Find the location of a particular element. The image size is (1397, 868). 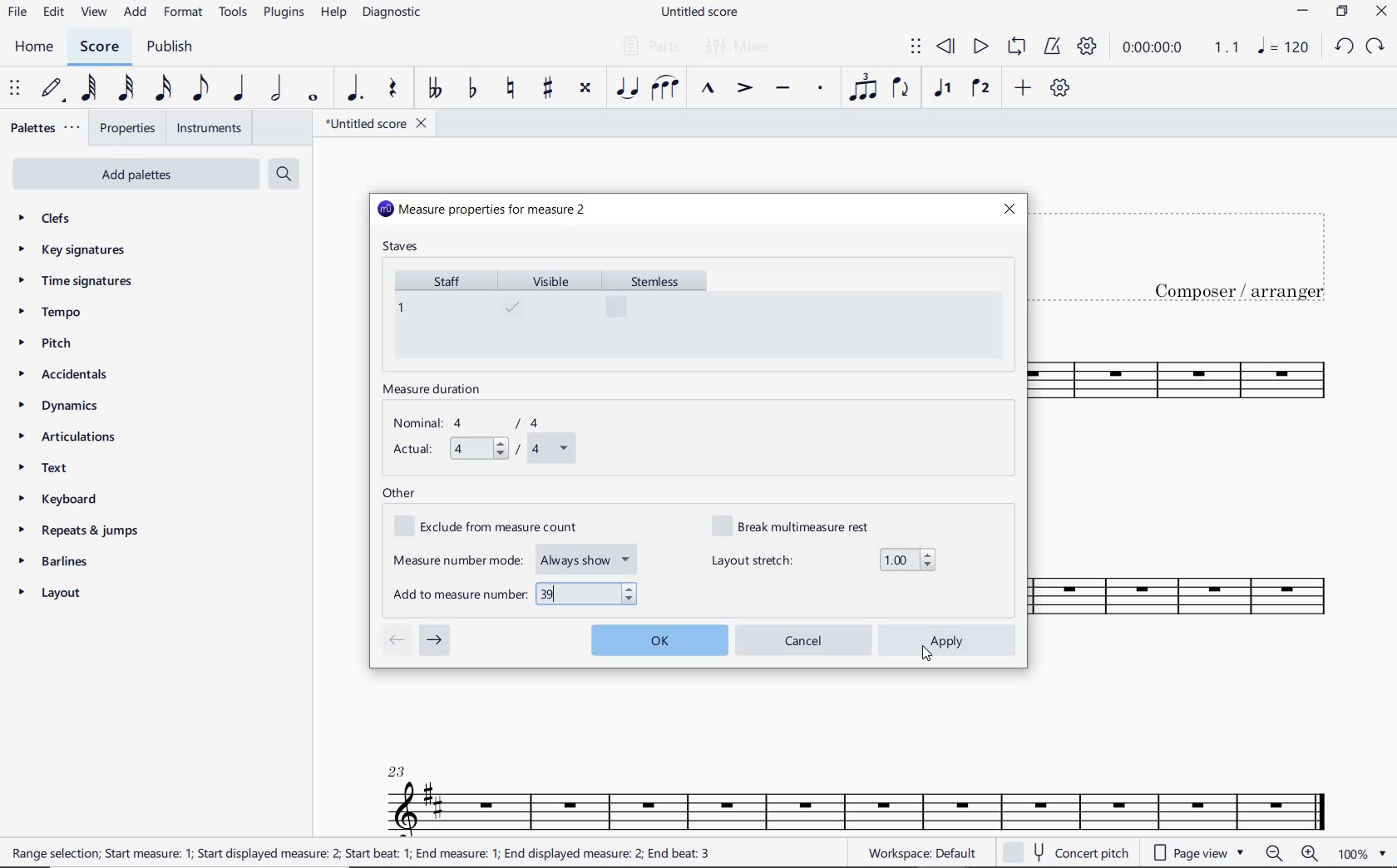

ADD is located at coordinates (1020, 89).